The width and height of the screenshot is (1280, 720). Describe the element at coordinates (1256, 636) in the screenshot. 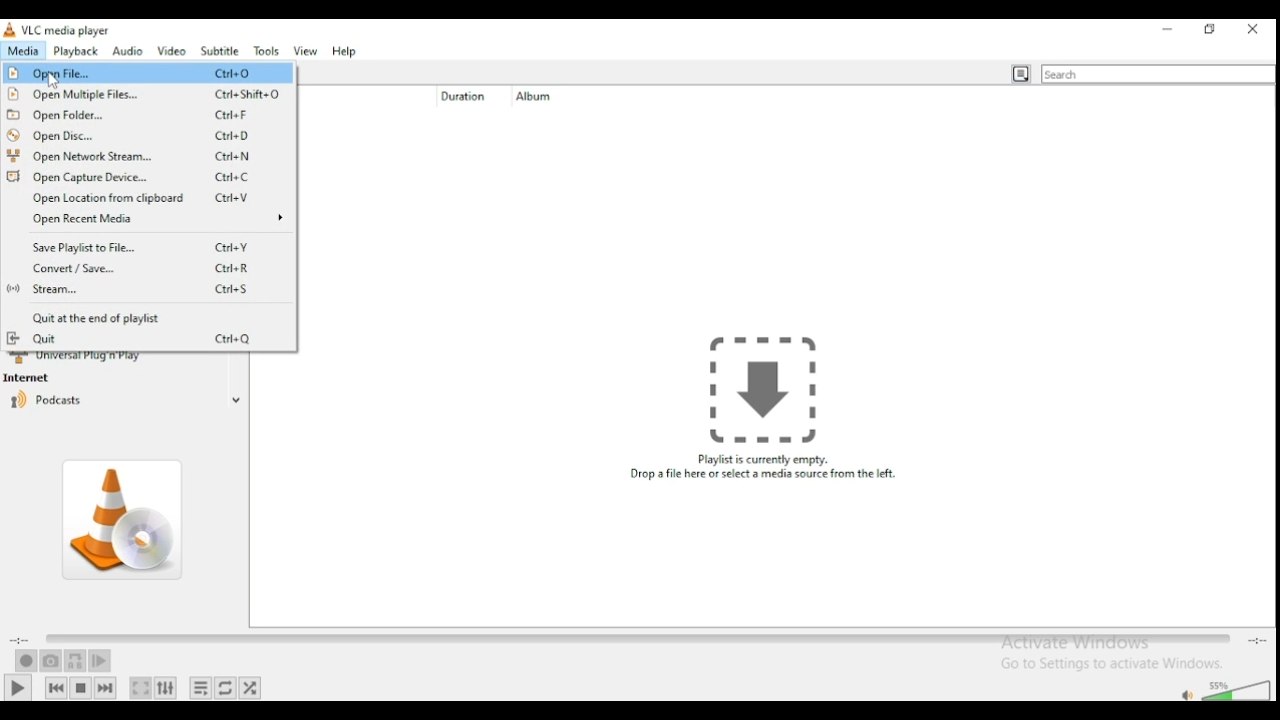

I see `total/remaining time` at that location.